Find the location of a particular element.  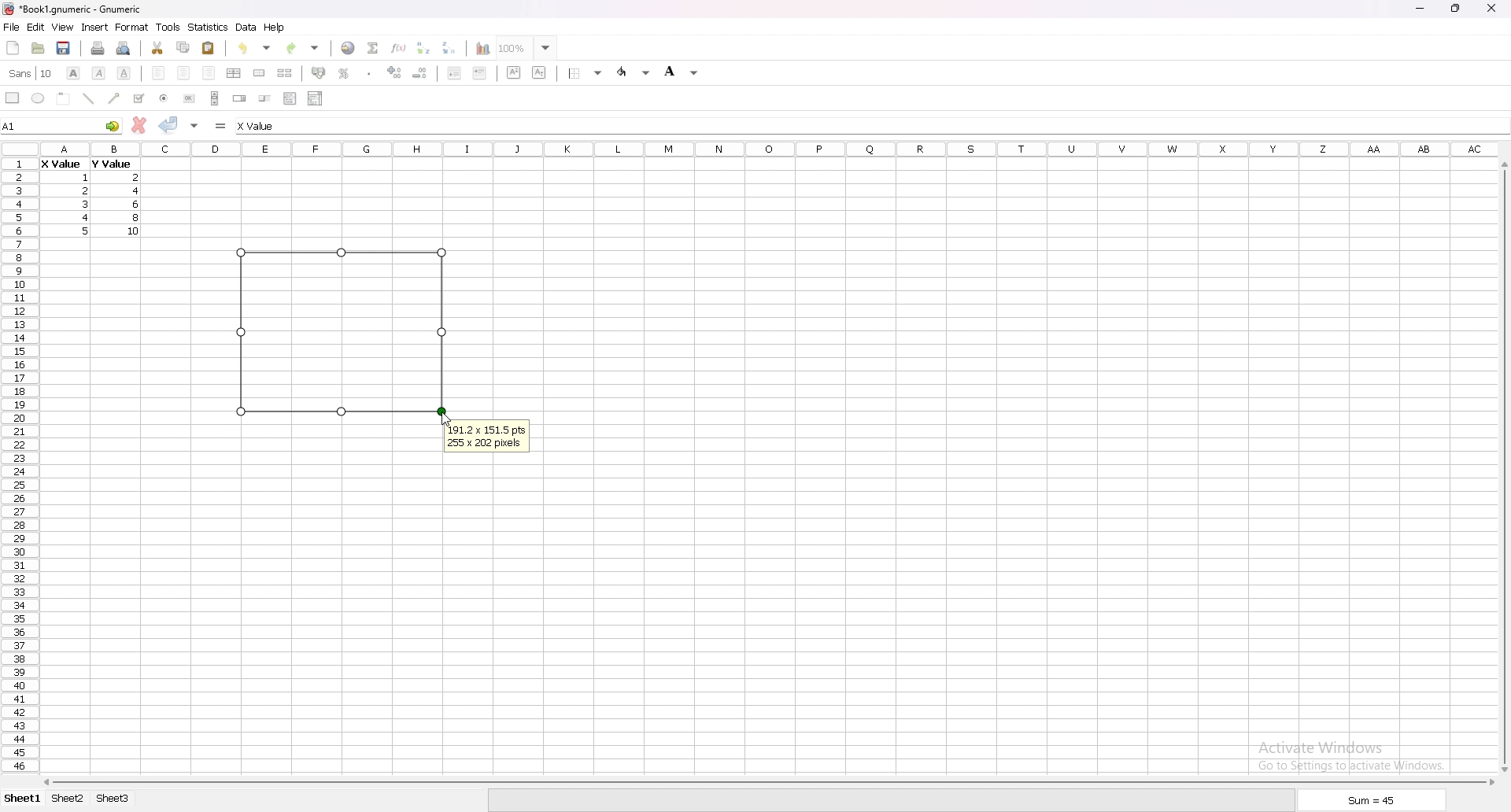

cell input is located at coordinates (272, 126).